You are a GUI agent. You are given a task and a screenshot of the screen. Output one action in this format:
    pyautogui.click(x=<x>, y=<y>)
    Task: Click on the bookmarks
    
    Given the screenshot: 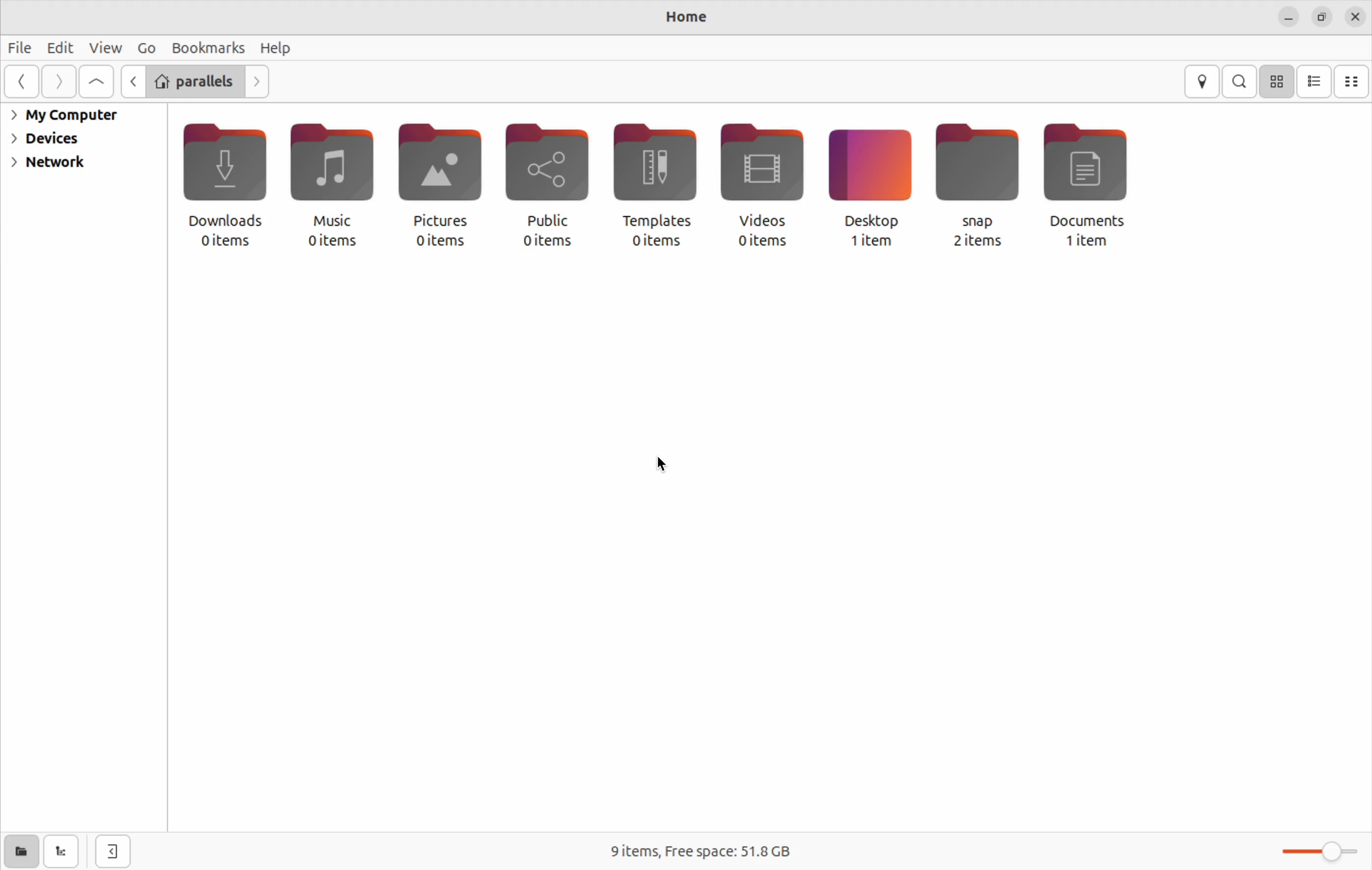 What is the action you would take?
    pyautogui.click(x=210, y=47)
    